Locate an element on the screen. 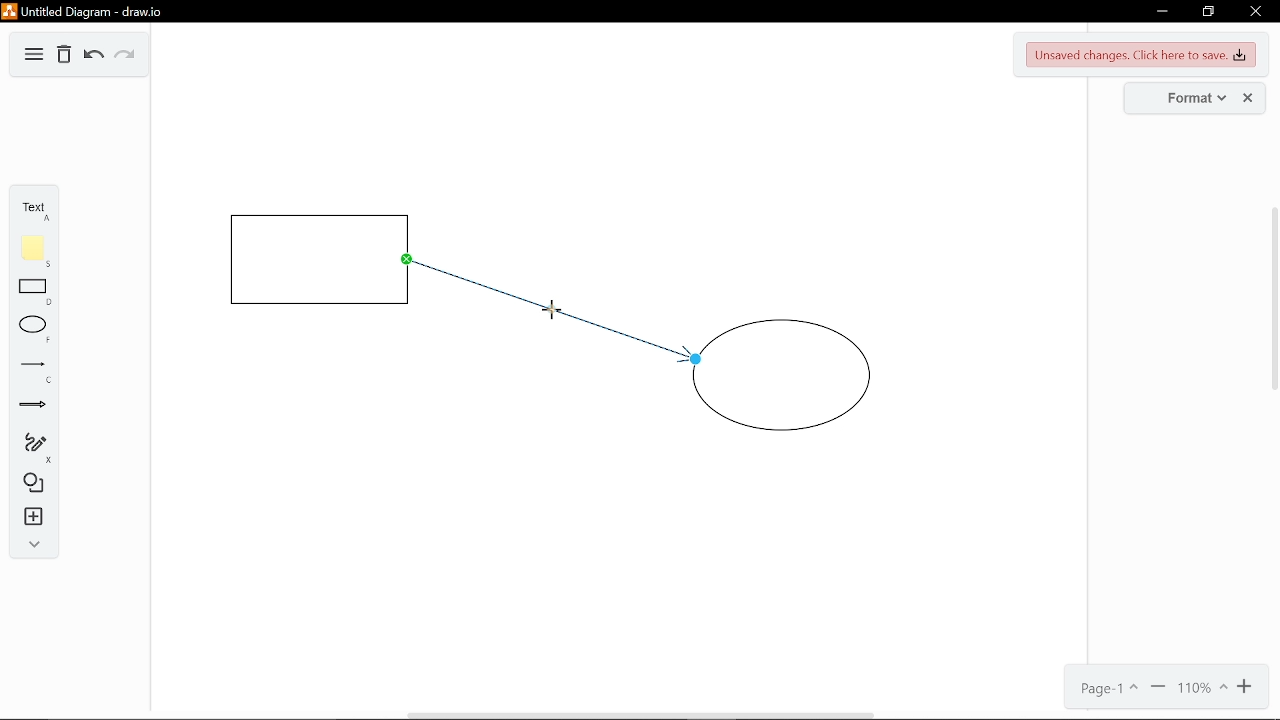 The width and height of the screenshot is (1280, 720). Line is located at coordinates (30, 371).